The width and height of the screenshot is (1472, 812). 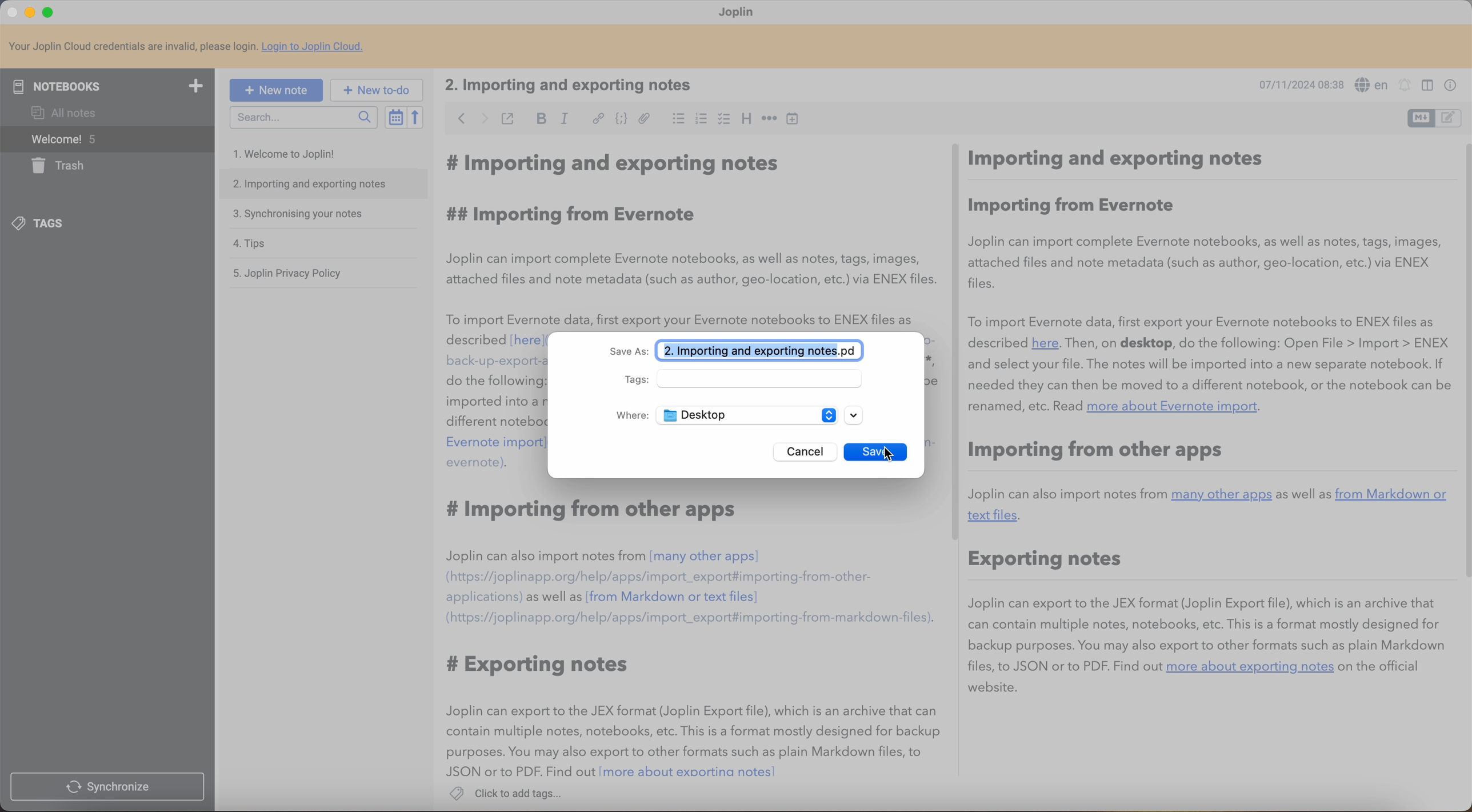 I want to click on scroll bar, so click(x=1463, y=361).